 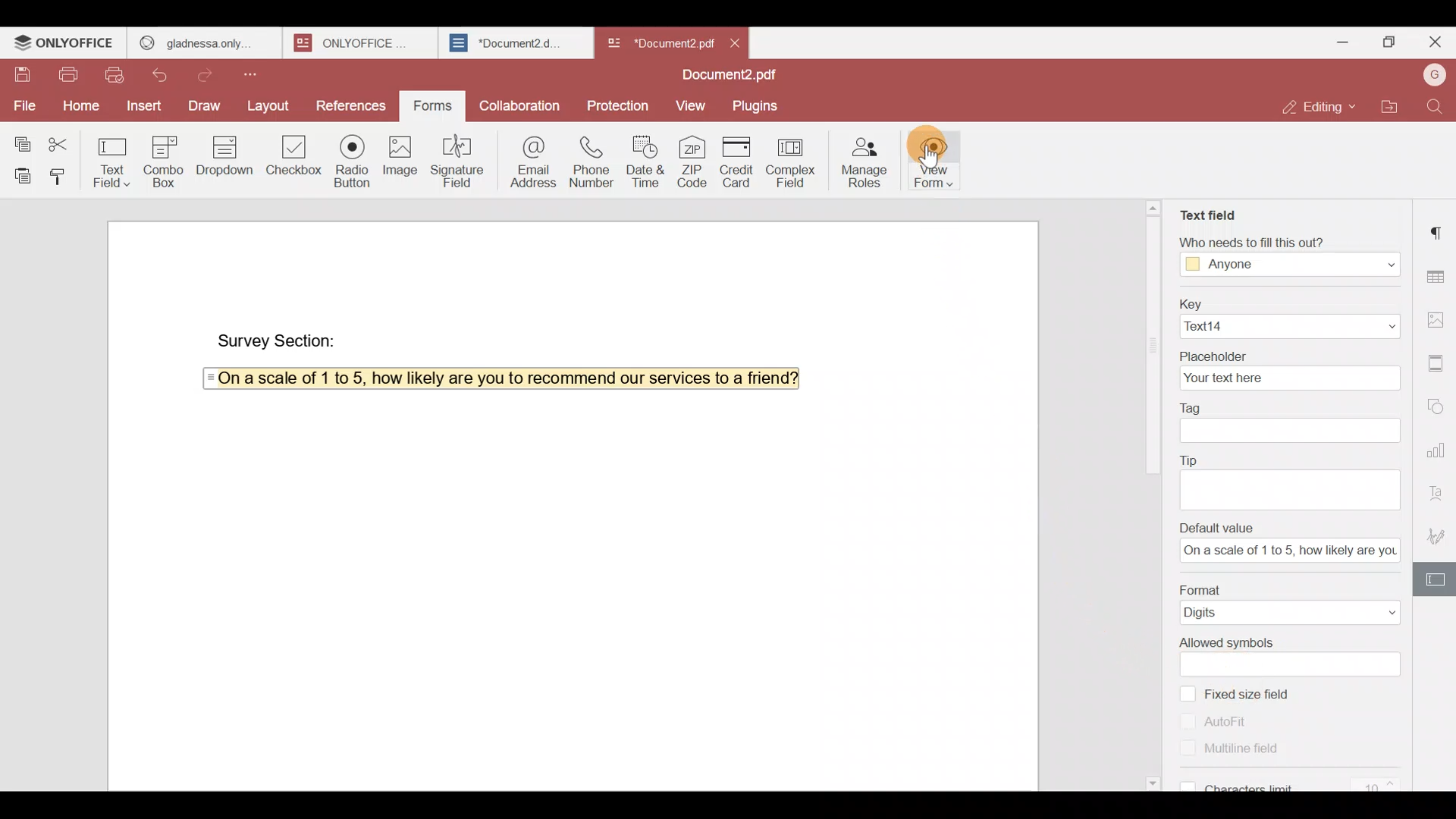 What do you see at coordinates (1288, 352) in the screenshot?
I see `Placeholder` at bounding box center [1288, 352].